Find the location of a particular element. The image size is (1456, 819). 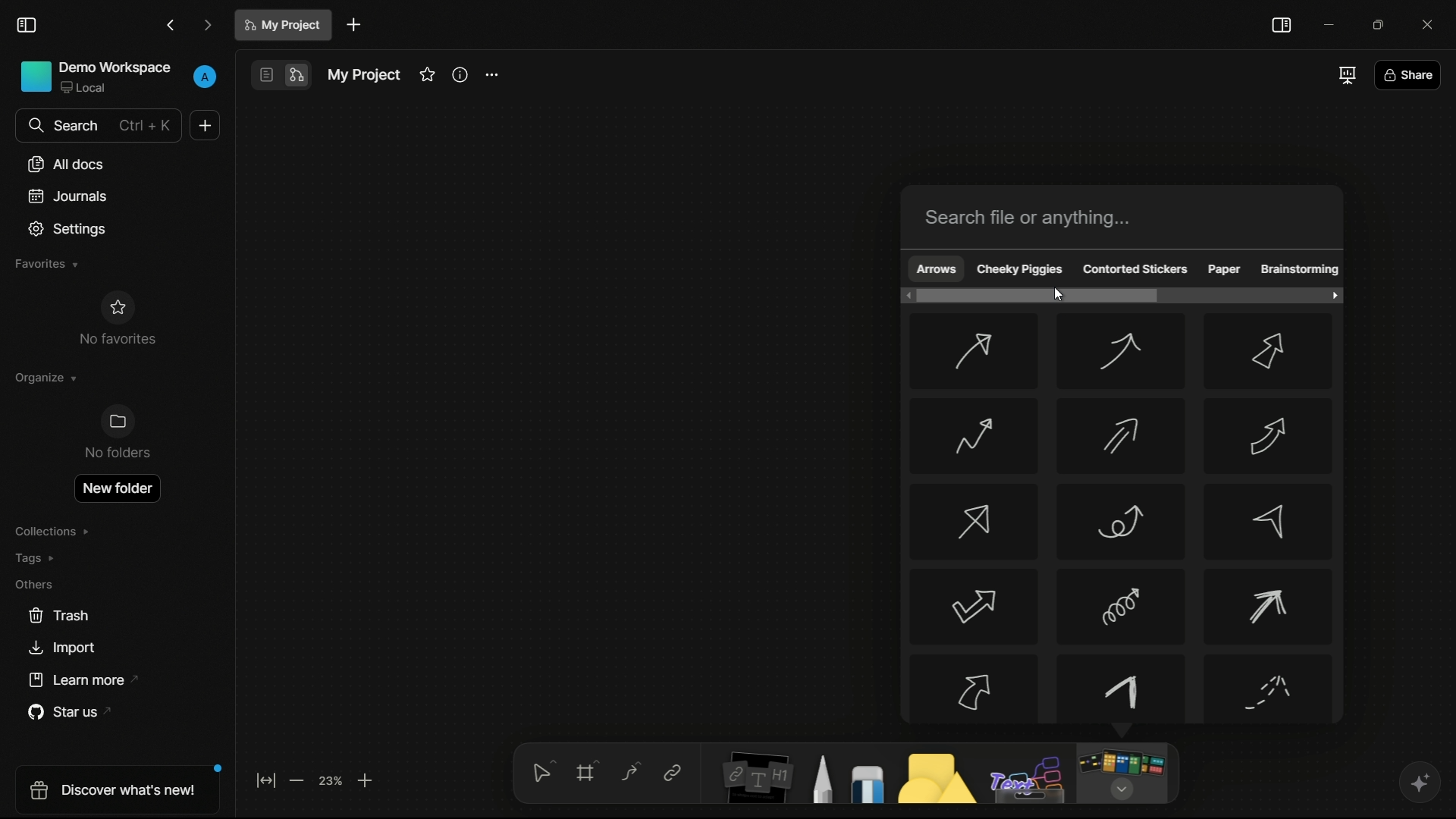

cheeky piggies is located at coordinates (1021, 268).